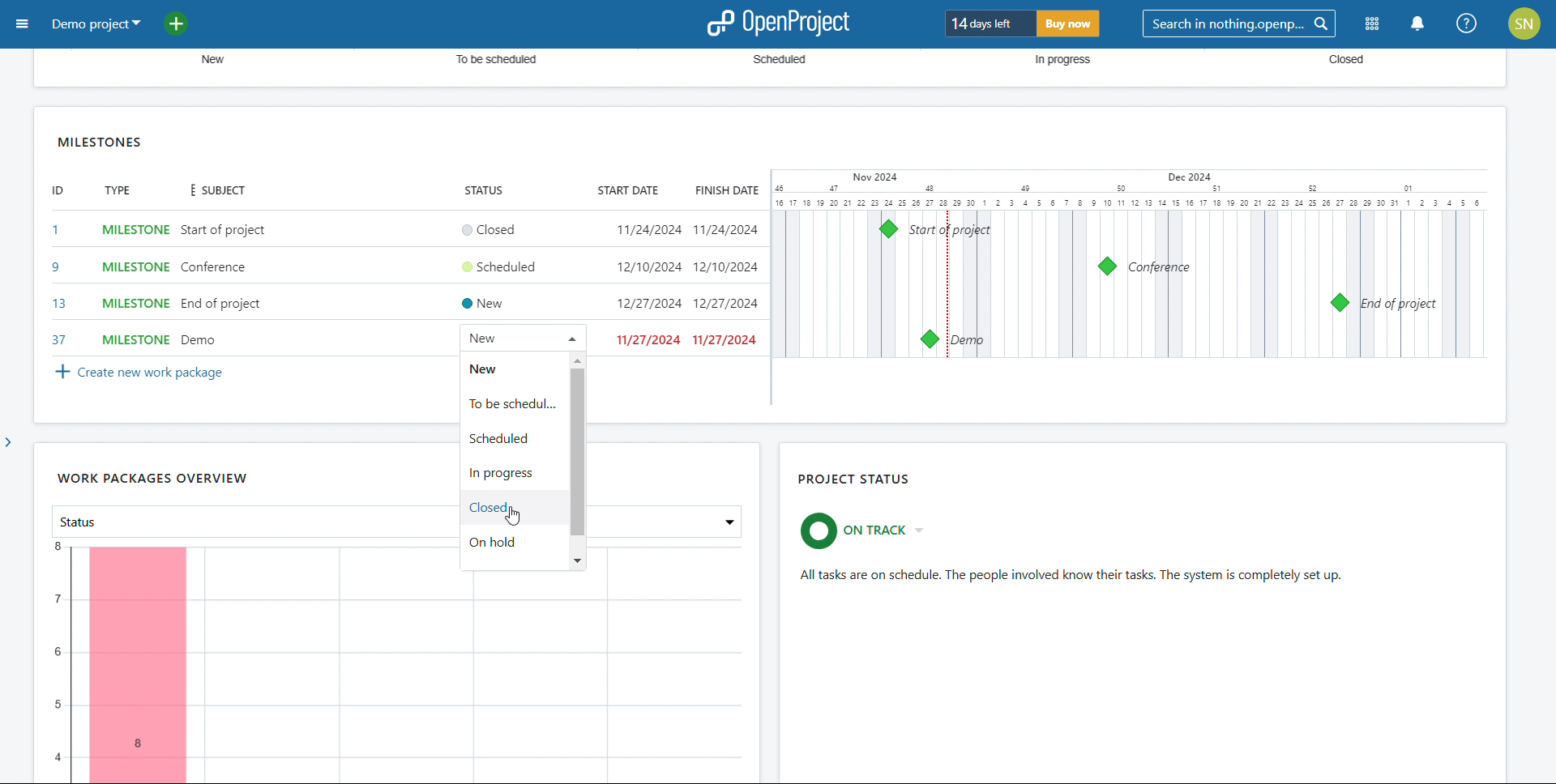 This screenshot has height=784, width=1556. What do you see at coordinates (24, 23) in the screenshot?
I see `open sidebar menu` at bounding box center [24, 23].